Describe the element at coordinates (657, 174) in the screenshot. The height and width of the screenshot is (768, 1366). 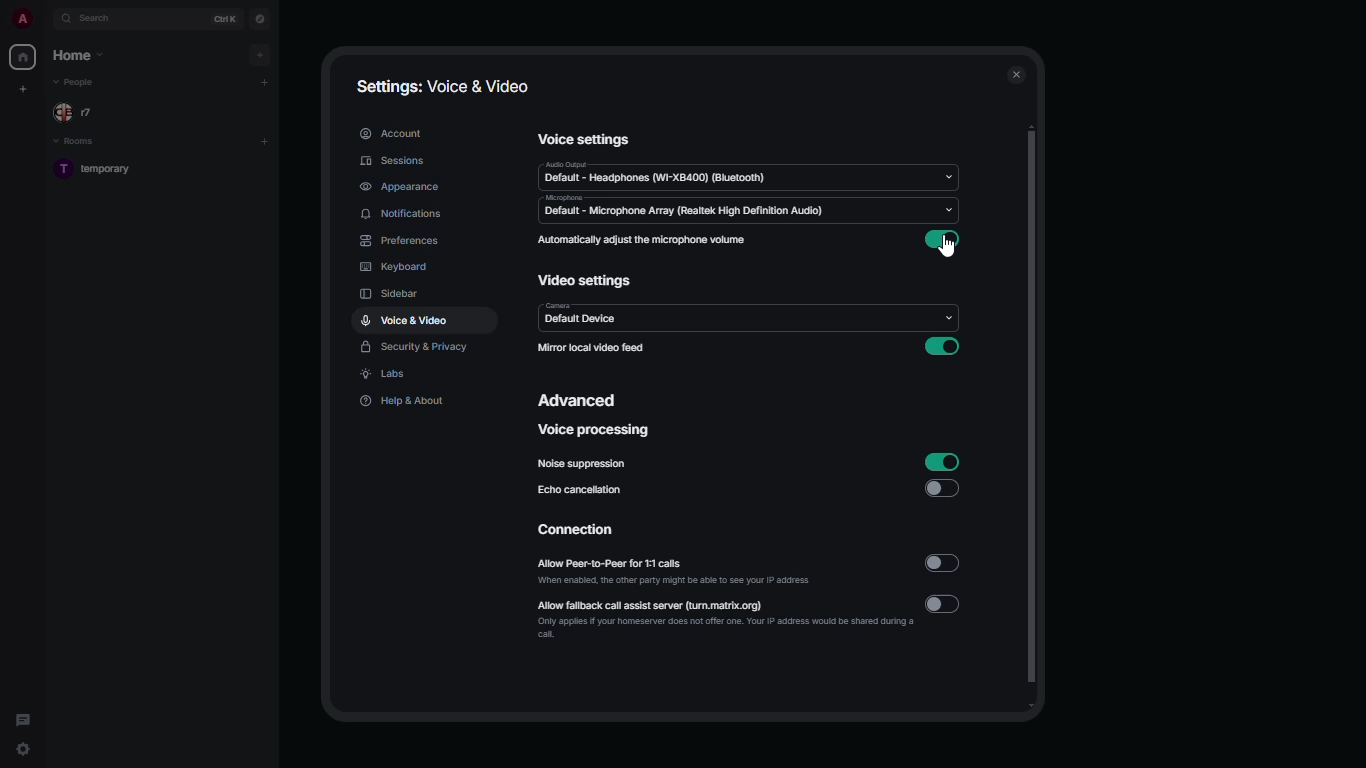
I see `audio default` at that location.